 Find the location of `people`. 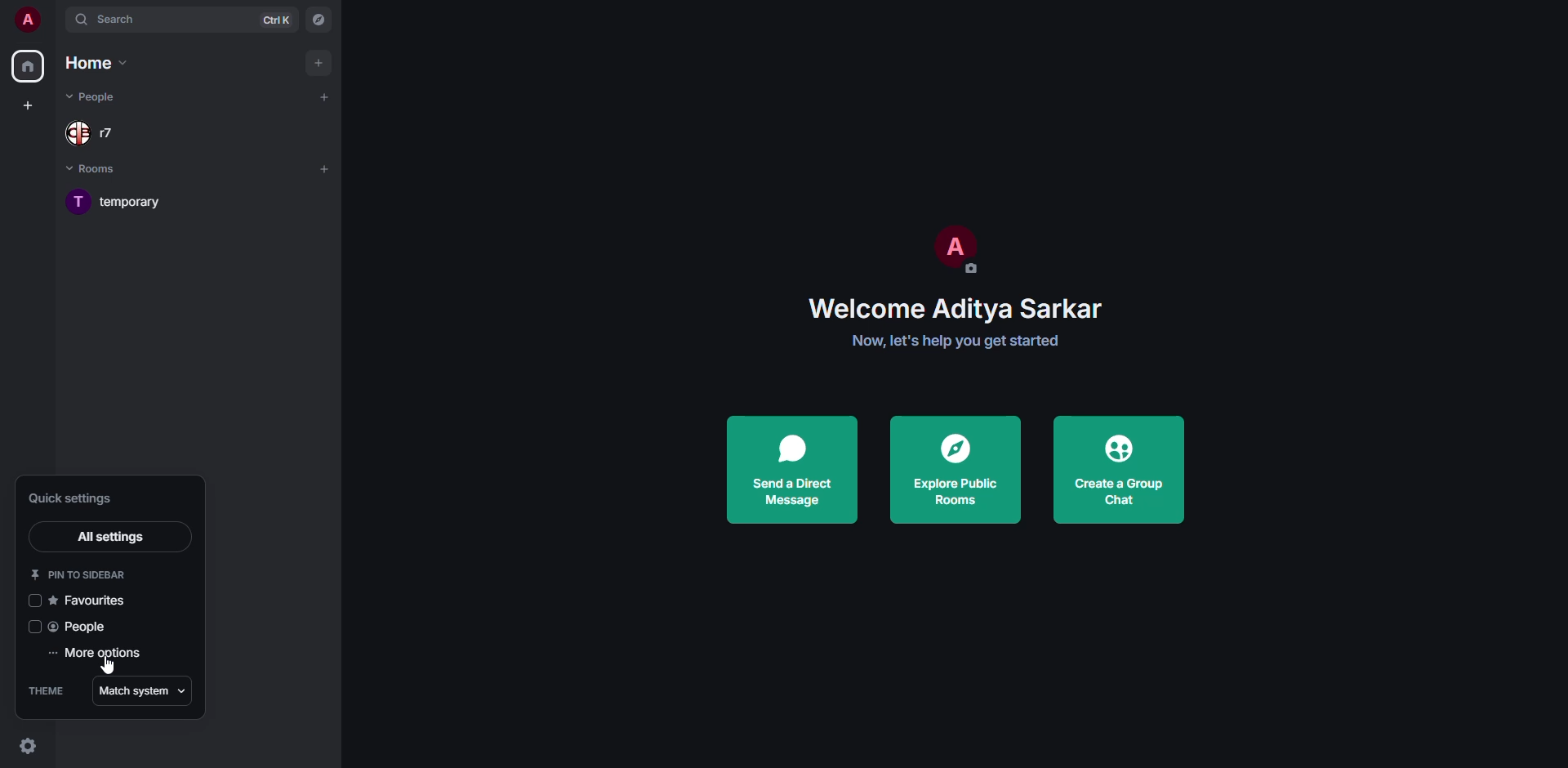

people is located at coordinates (85, 628).